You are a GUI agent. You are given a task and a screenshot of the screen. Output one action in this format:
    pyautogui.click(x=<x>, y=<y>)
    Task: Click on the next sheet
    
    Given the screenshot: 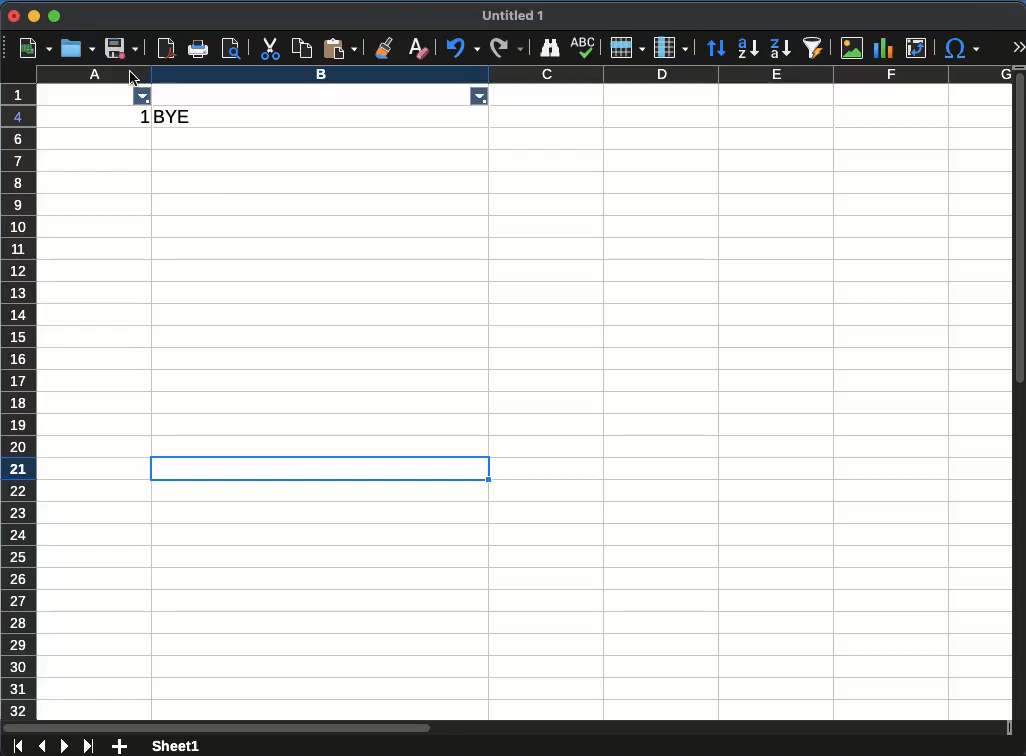 What is the action you would take?
    pyautogui.click(x=67, y=746)
    